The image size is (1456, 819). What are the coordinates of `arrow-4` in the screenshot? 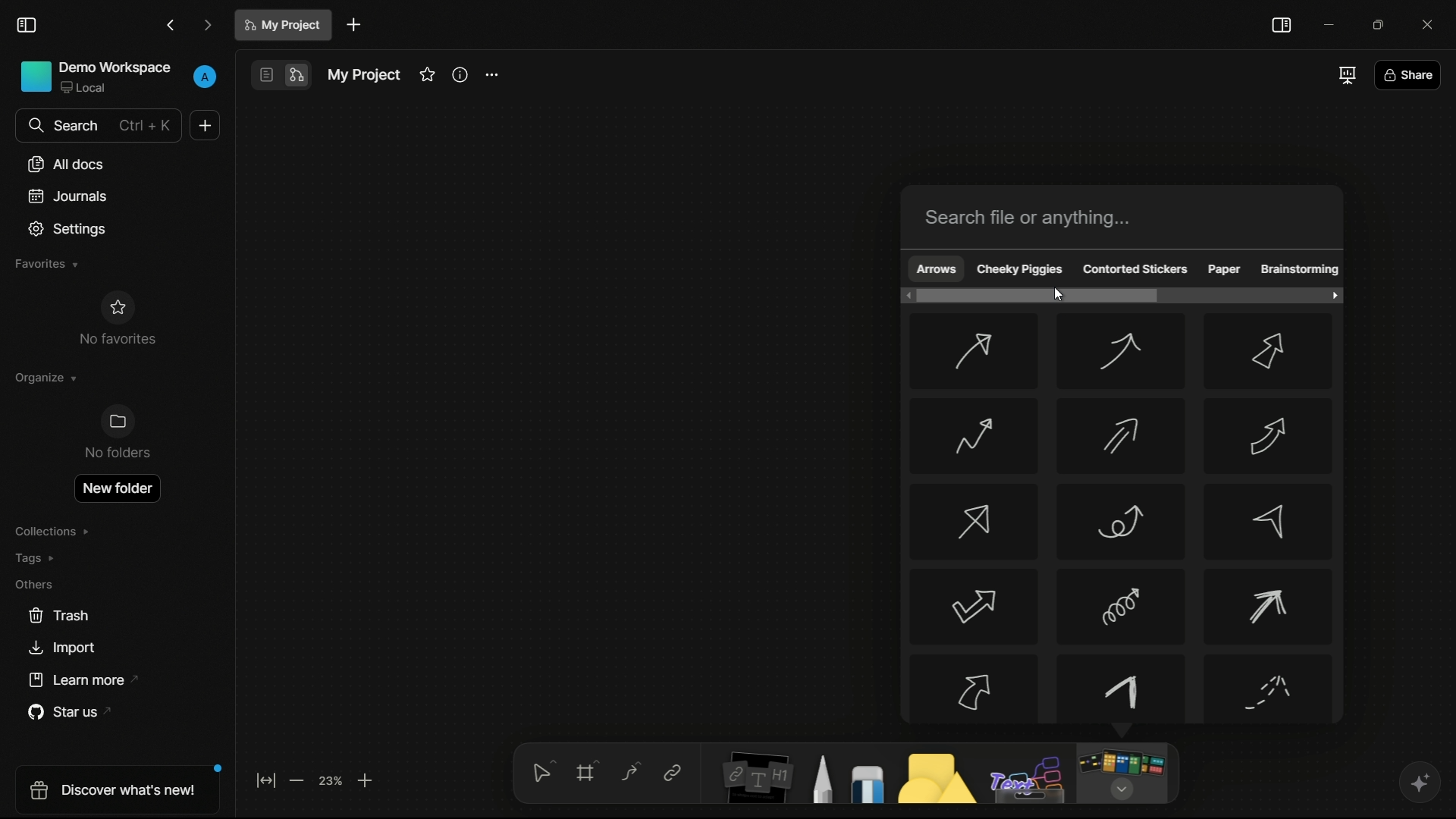 It's located at (971, 435).